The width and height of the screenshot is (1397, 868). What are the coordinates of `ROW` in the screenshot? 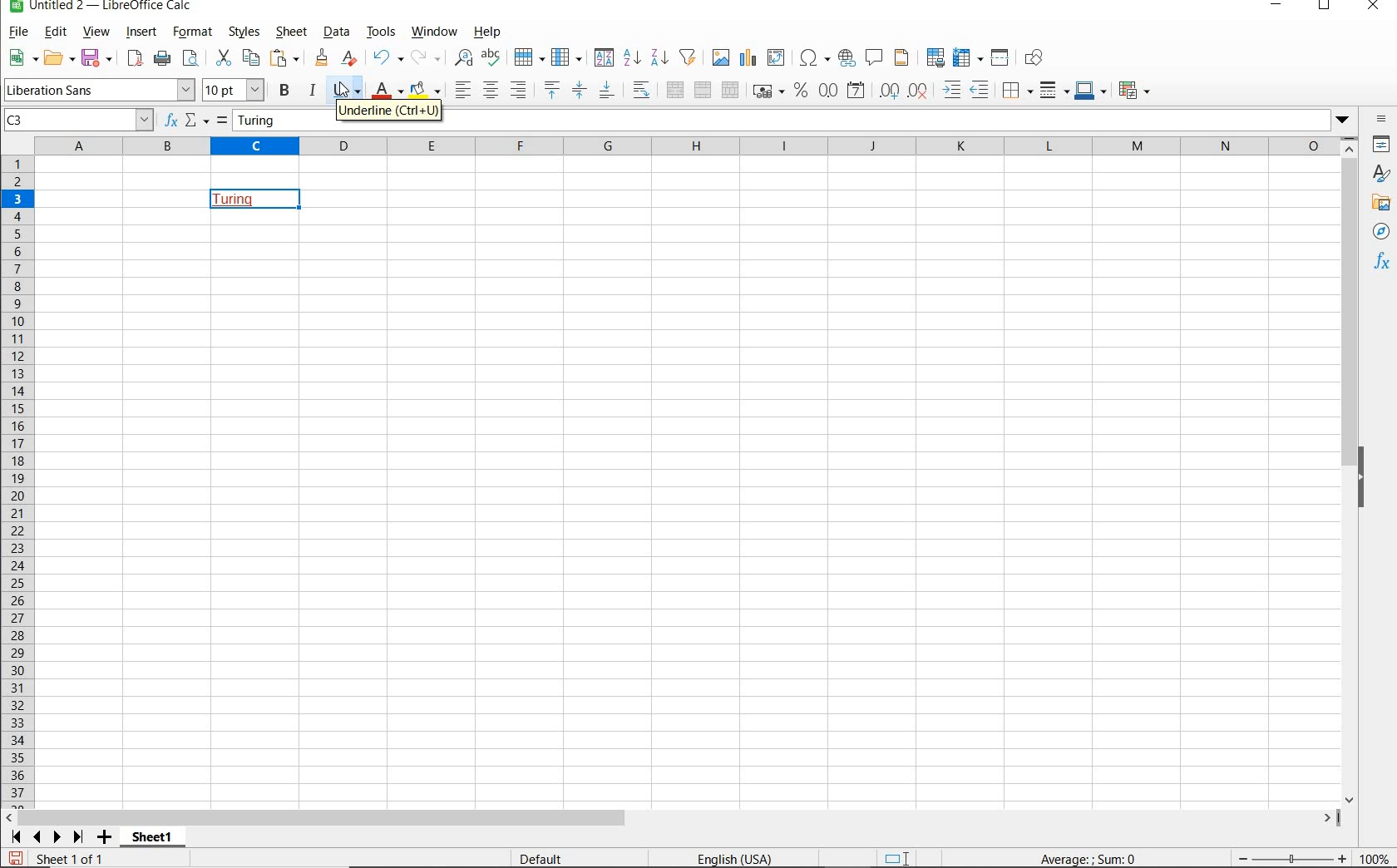 It's located at (529, 57).